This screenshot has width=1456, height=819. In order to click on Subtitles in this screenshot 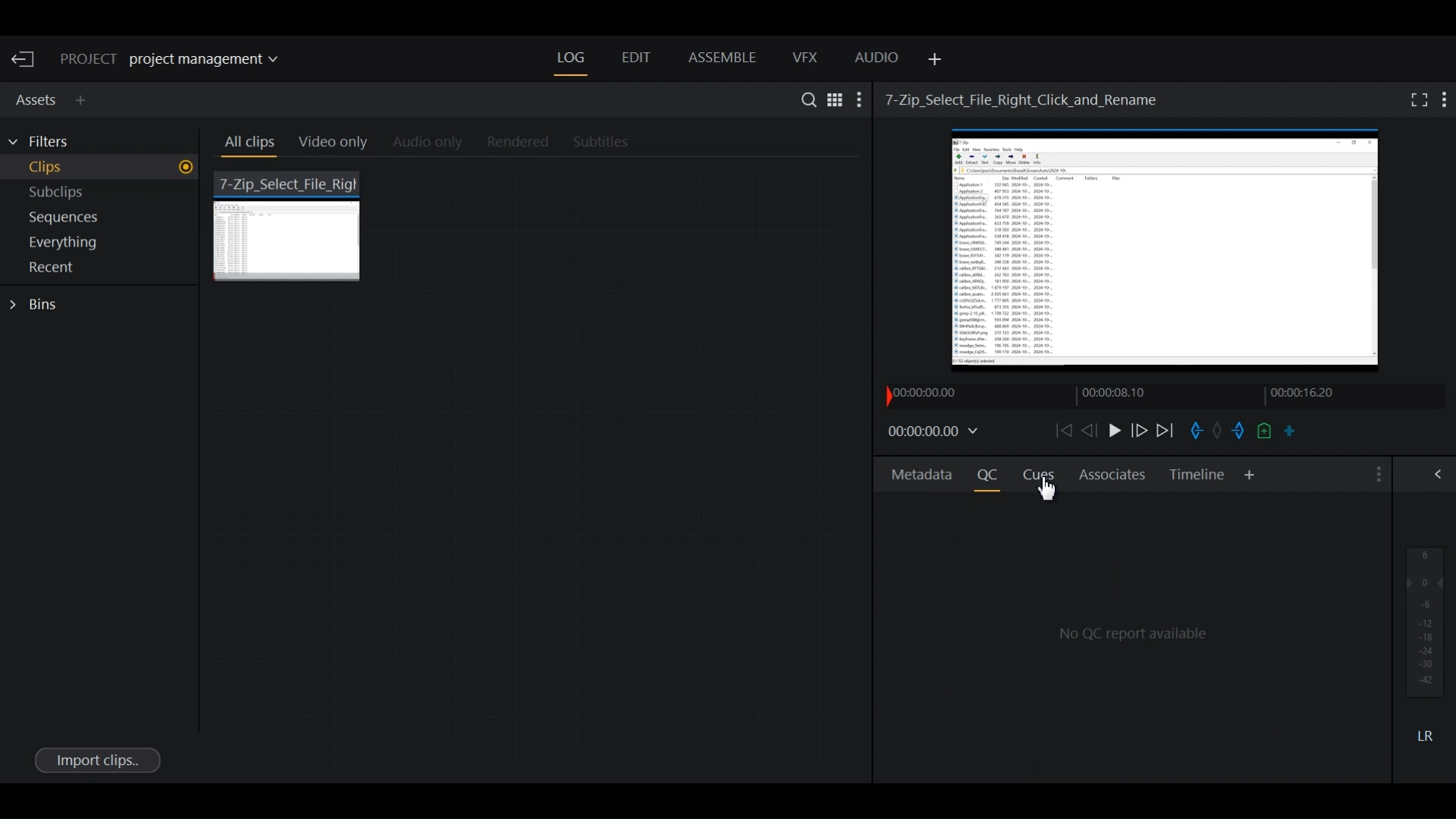, I will do `click(610, 143)`.